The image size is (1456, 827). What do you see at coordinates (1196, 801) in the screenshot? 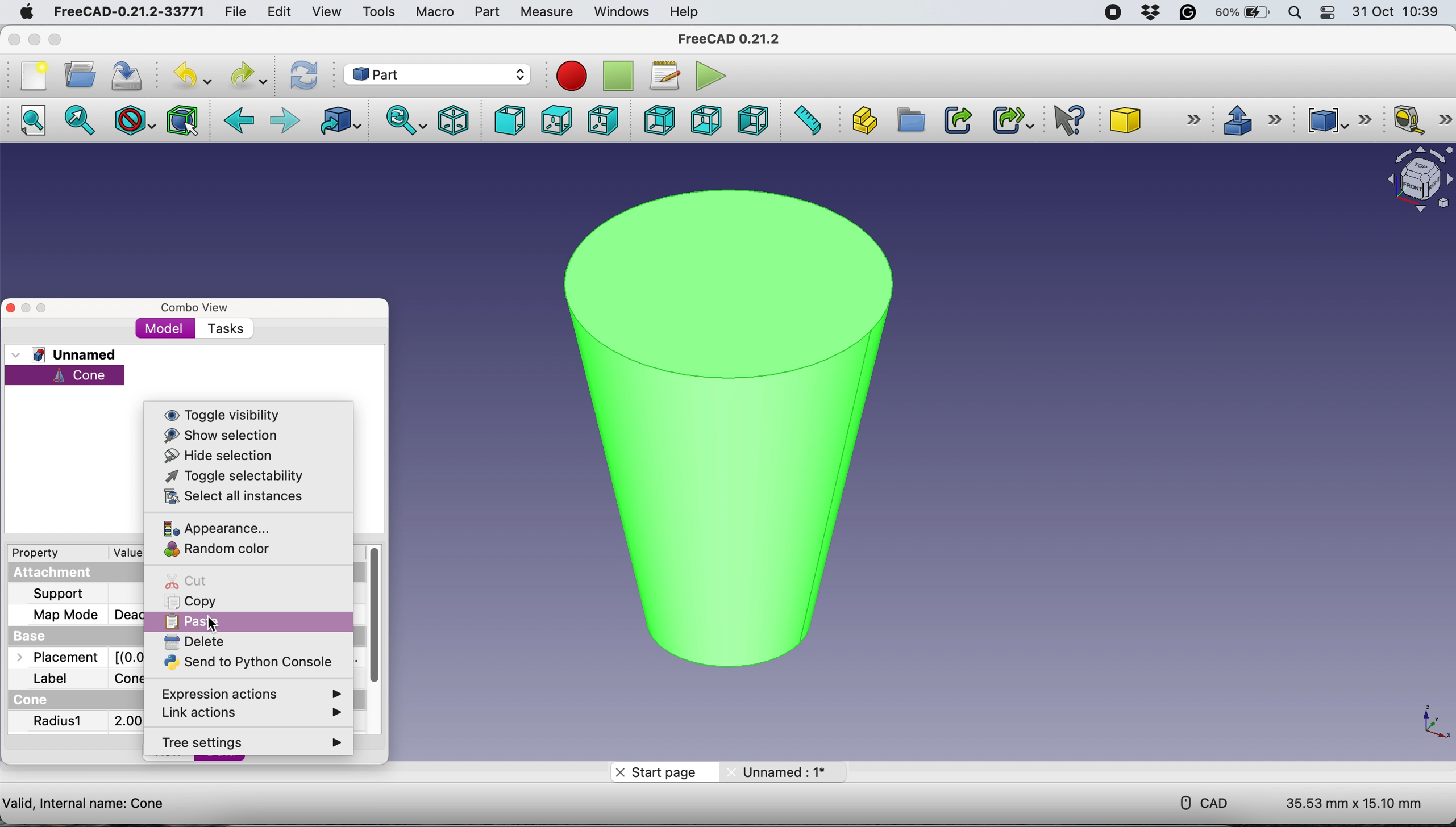
I see `cad` at bounding box center [1196, 801].